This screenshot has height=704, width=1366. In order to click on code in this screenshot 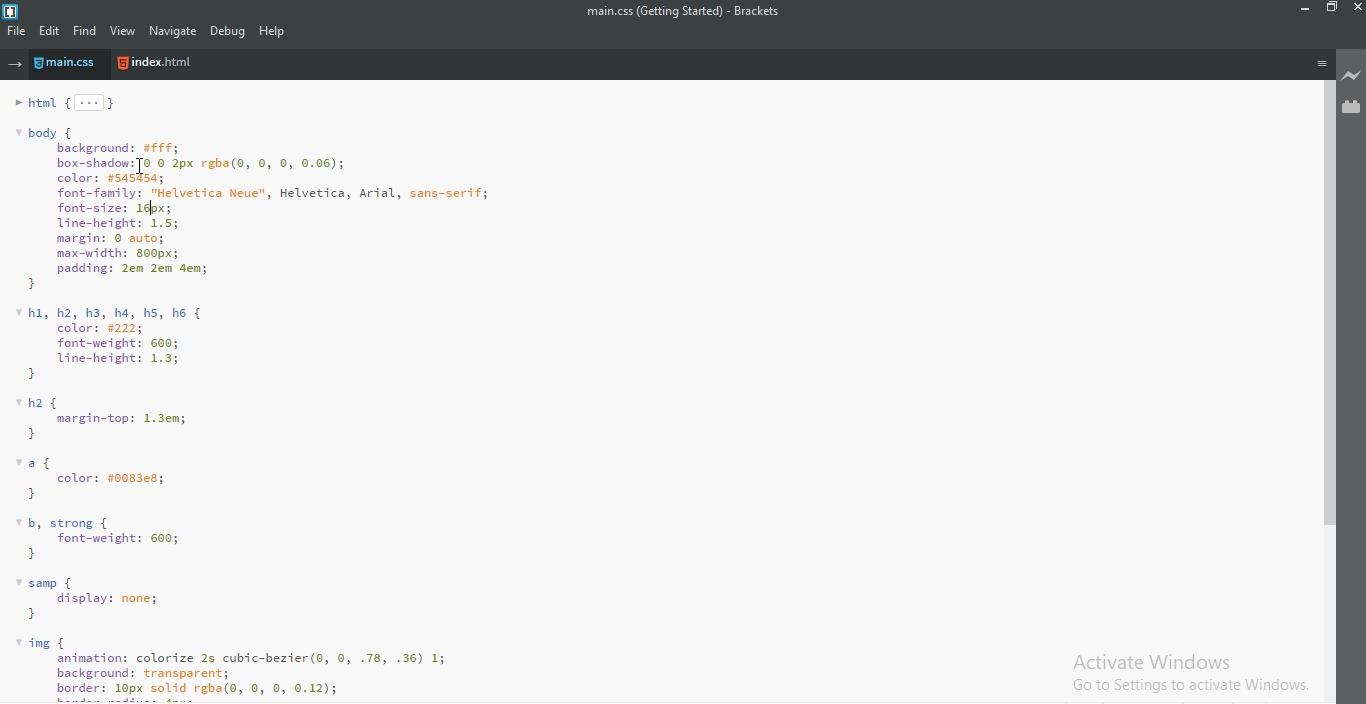, I will do `click(651, 395)`.